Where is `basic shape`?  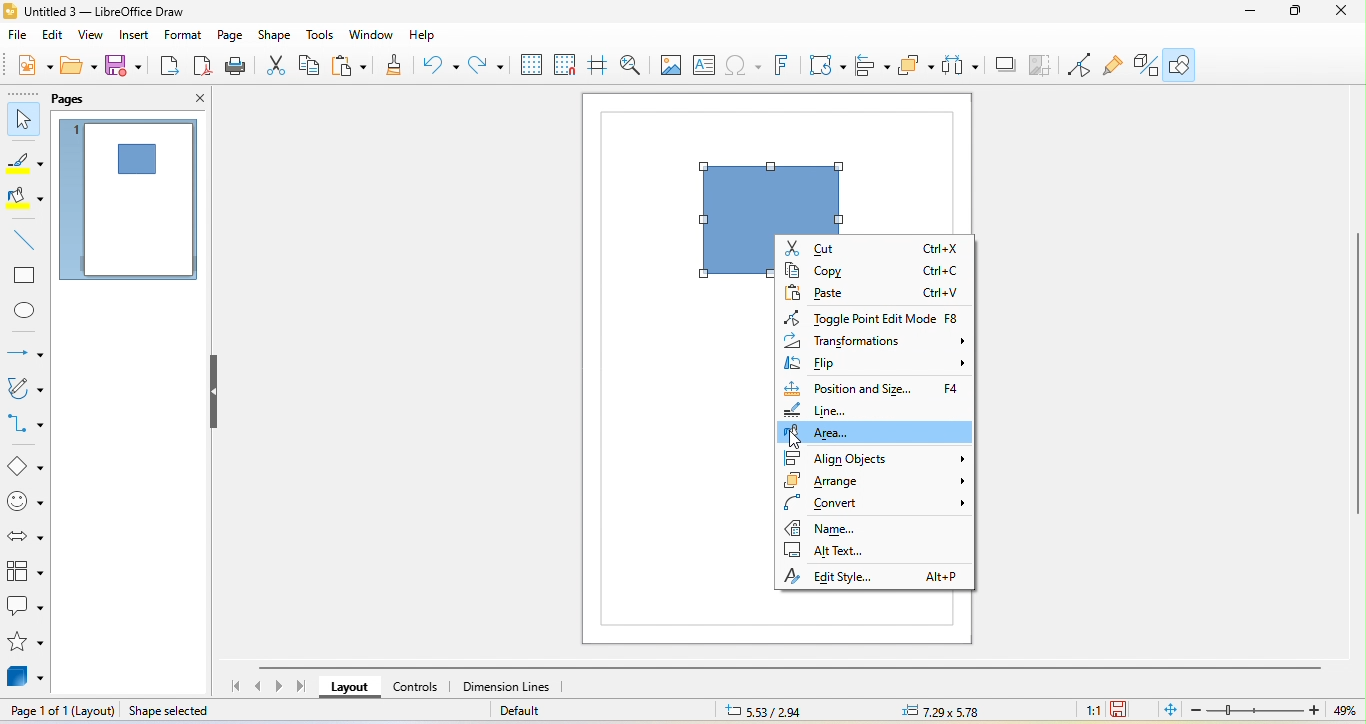 basic shape is located at coordinates (24, 462).